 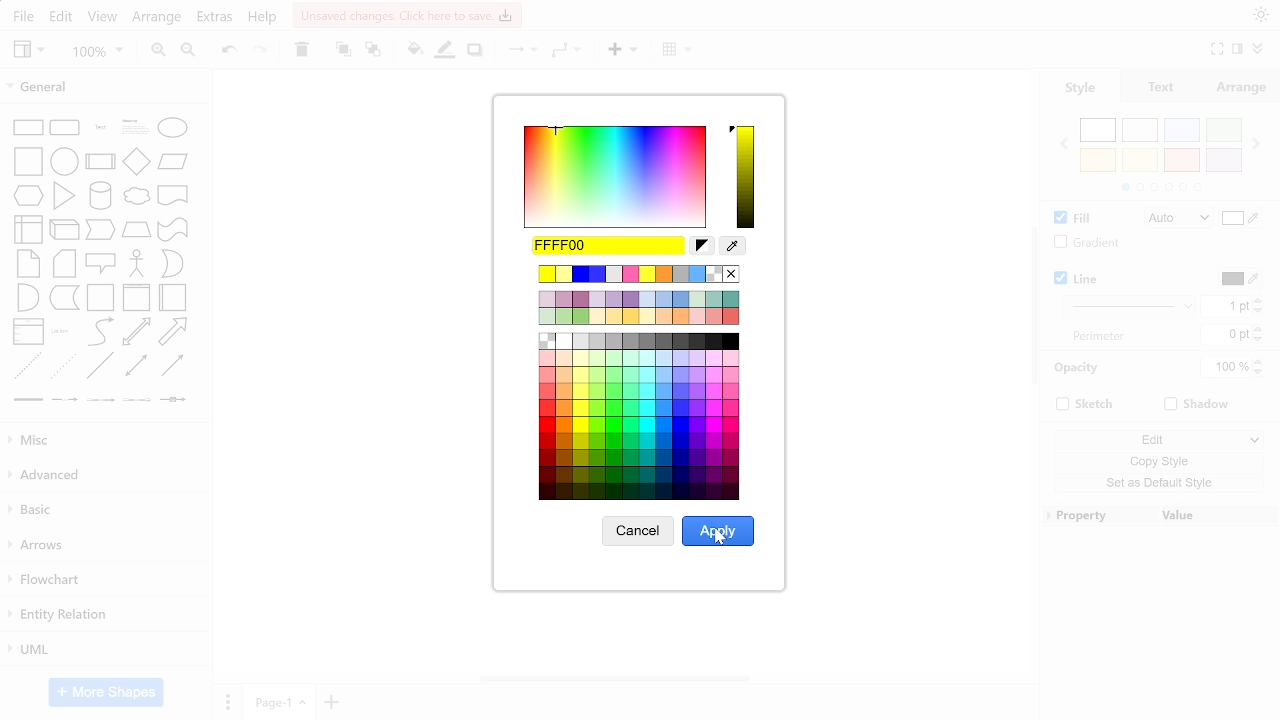 I want to click on current color, so click(x=609, y=245).